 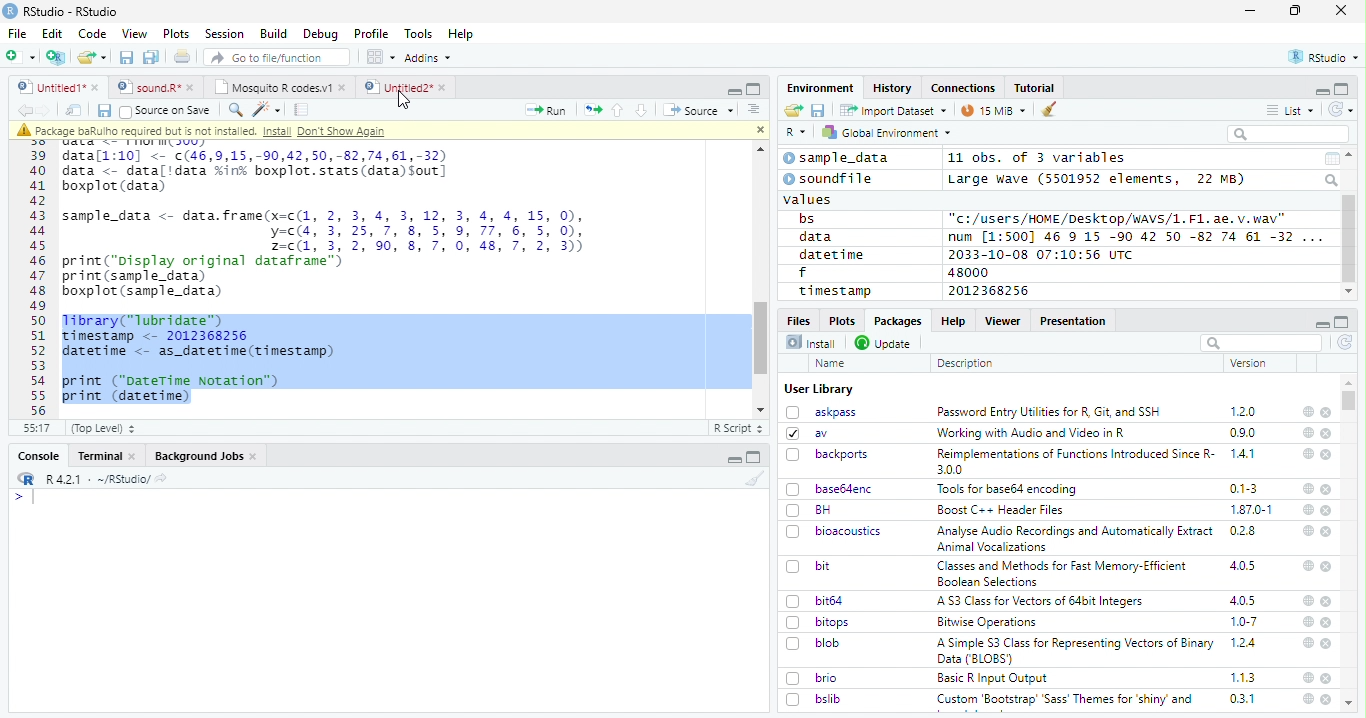 What do you see at coordinates (1242, 566) in the screenshot?
I see `4.0.5` at bounding box center [1242, 566].